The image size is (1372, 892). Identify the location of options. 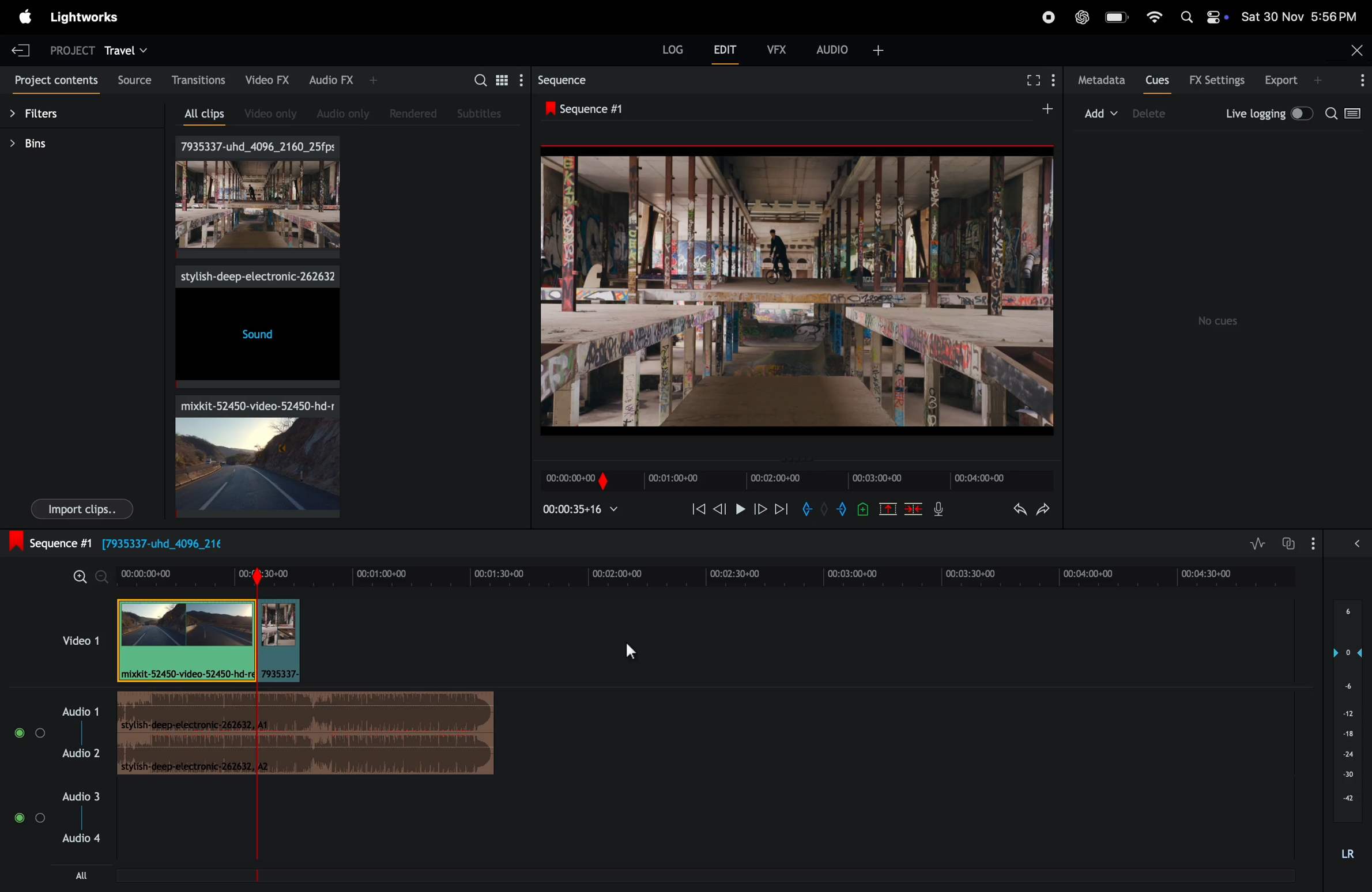
(1359, 80).